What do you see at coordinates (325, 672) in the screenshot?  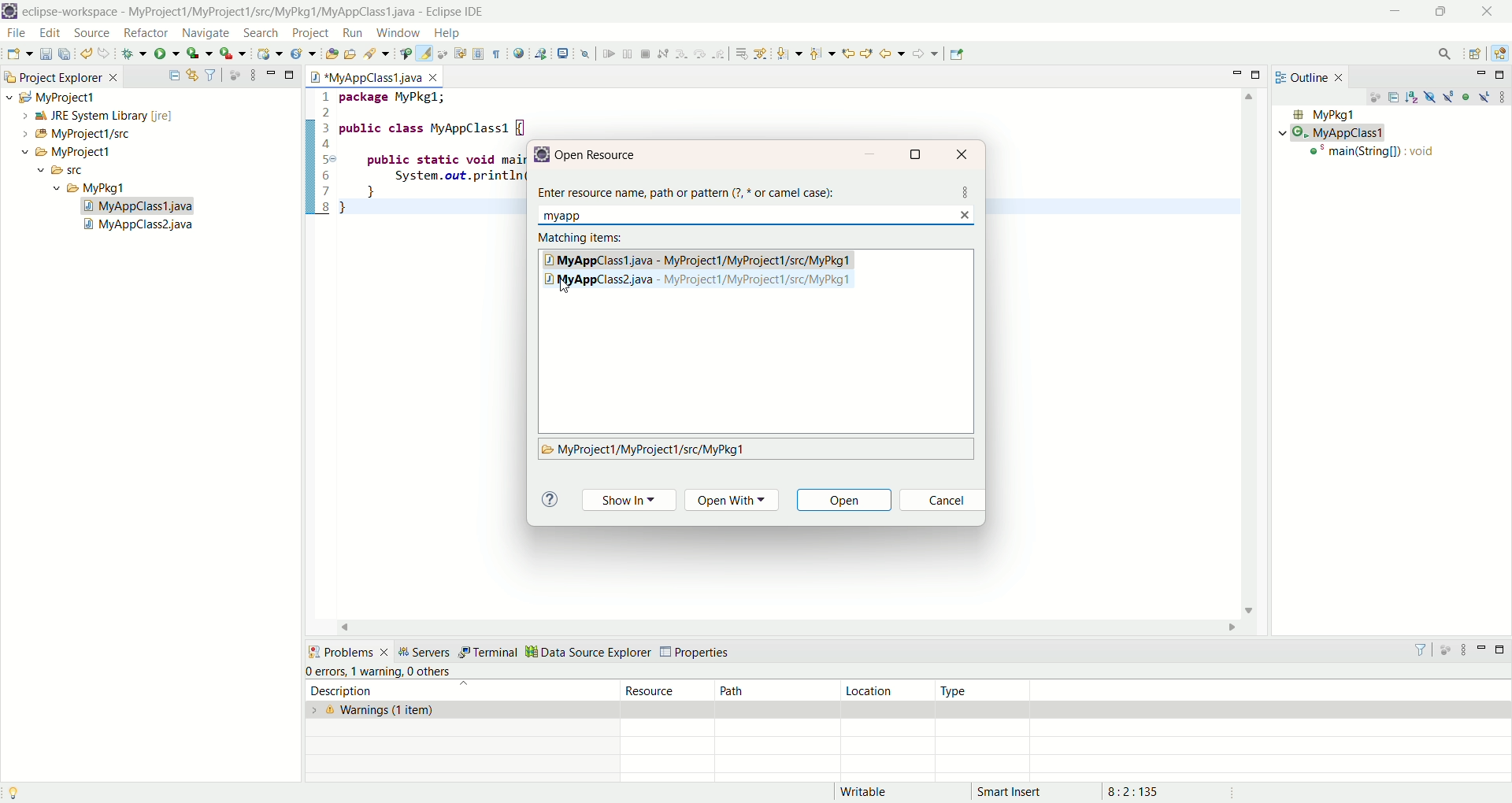 I see `errors` at bounding box center [325, 672].